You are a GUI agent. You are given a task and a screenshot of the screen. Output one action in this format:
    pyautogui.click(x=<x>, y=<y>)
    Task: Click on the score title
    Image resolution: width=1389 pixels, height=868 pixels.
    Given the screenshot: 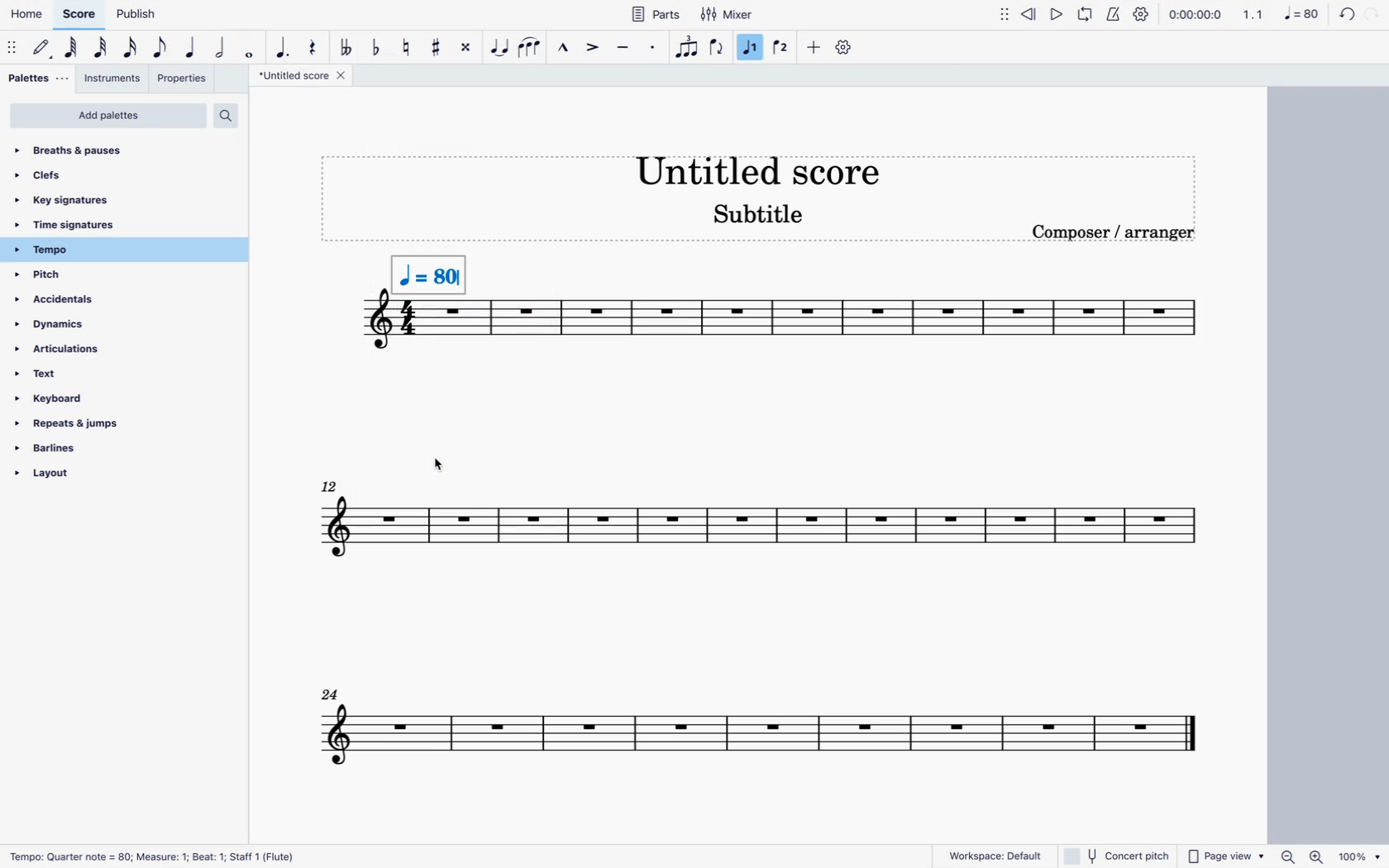 What is the action you would take?
    pyautogui.click(x=302, y=78)
    